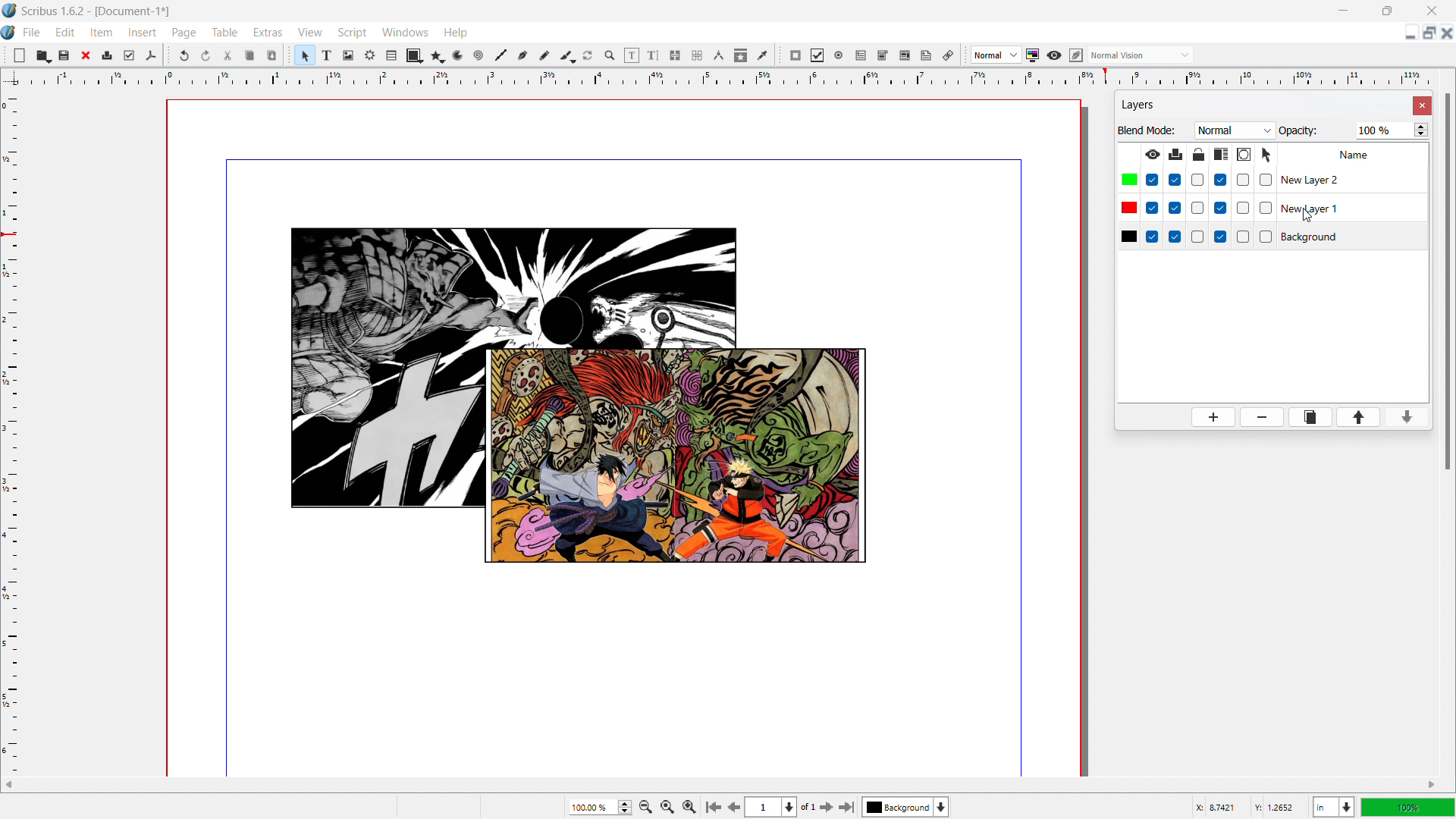  Describe the element at coordinates (861, 55) in the screenshot. I see `pdf text field` at that location.